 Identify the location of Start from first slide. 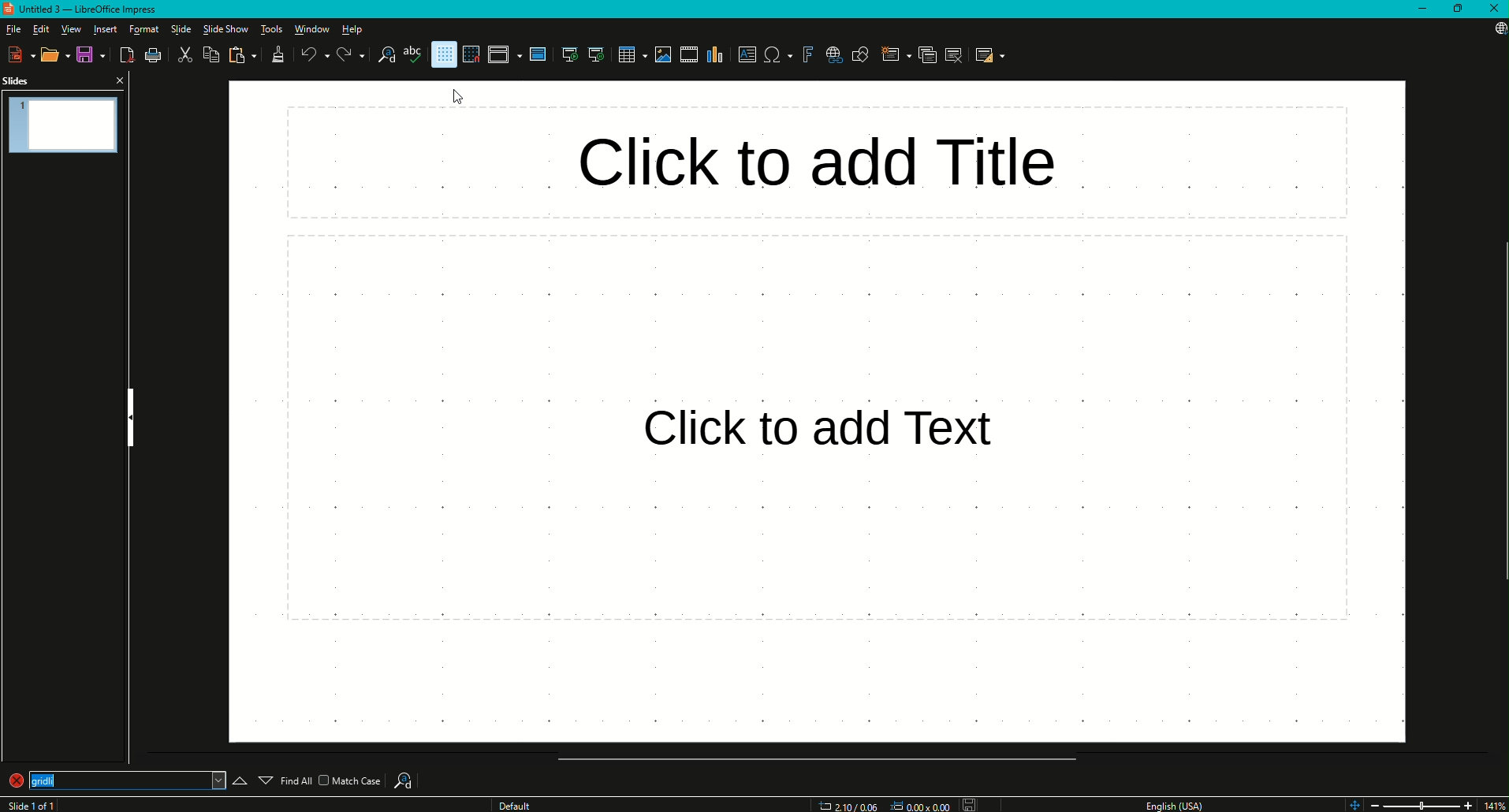
(566, 54).